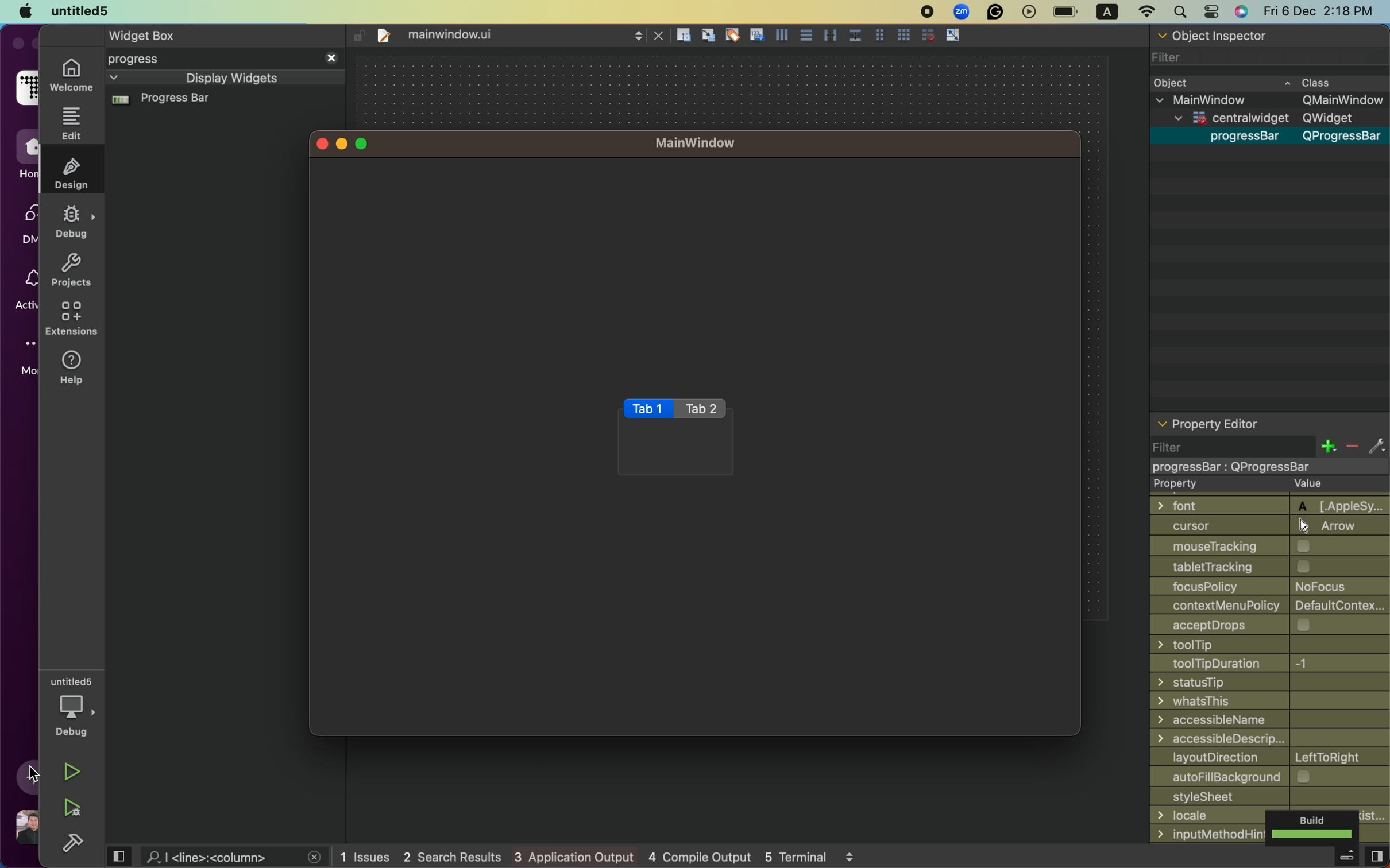 Image resolution: width=1390 pixels, height=868 pixels. I want to click on scale object, so click(953, 36).